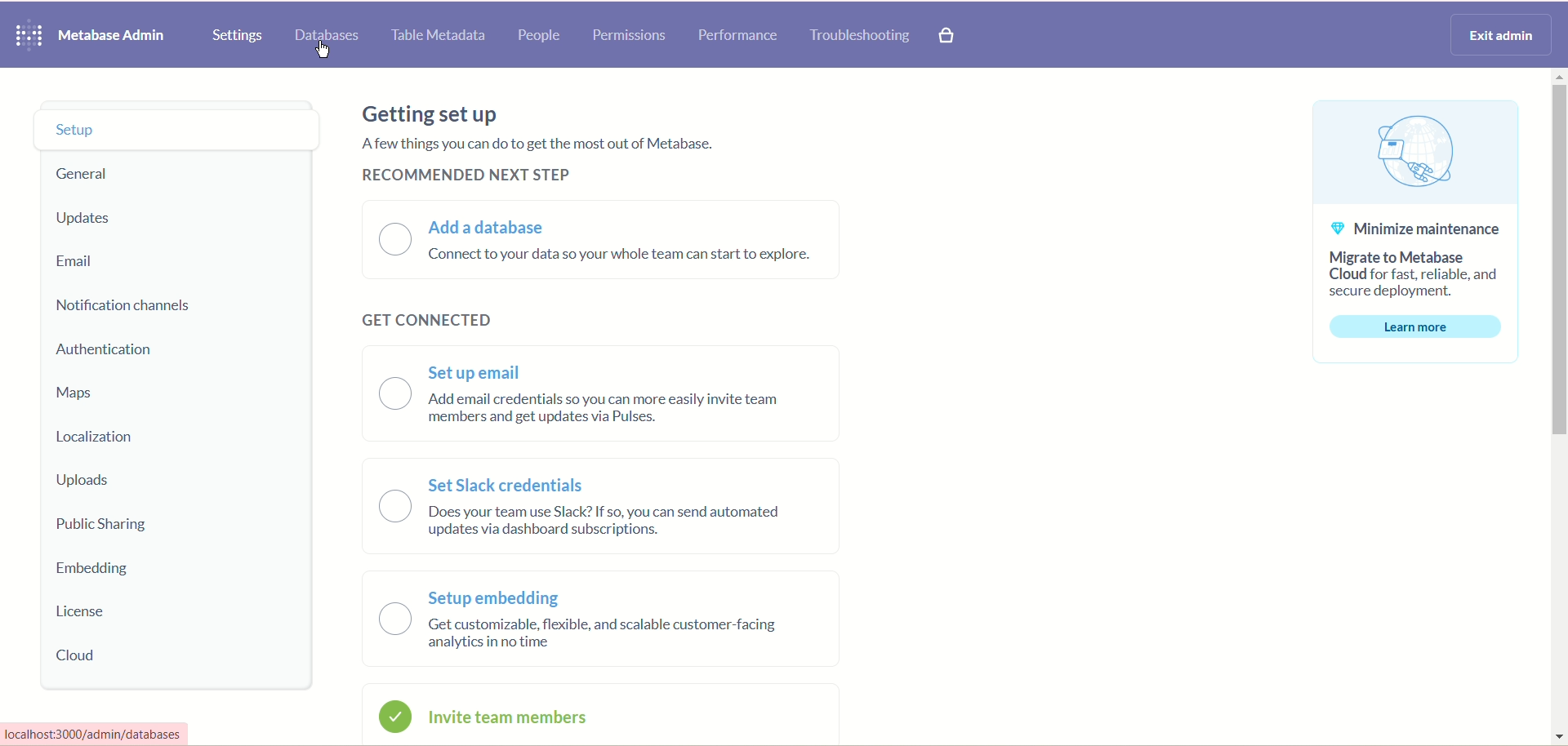 The width and height of the screenshot is (1568, 746). Describe the element at coordinates (631, 246) in the screenshot. I see `add a database` at that location.